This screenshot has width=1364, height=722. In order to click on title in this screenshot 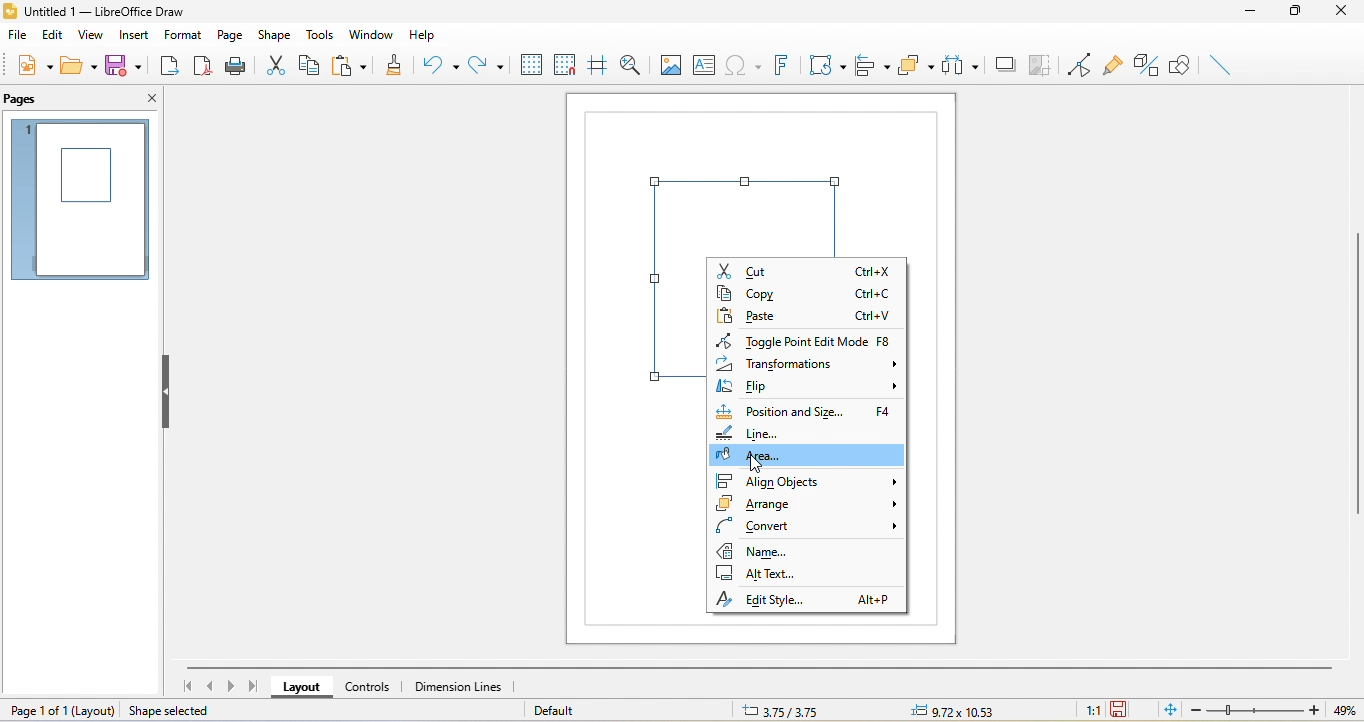, I will do `click(112, 12)`.